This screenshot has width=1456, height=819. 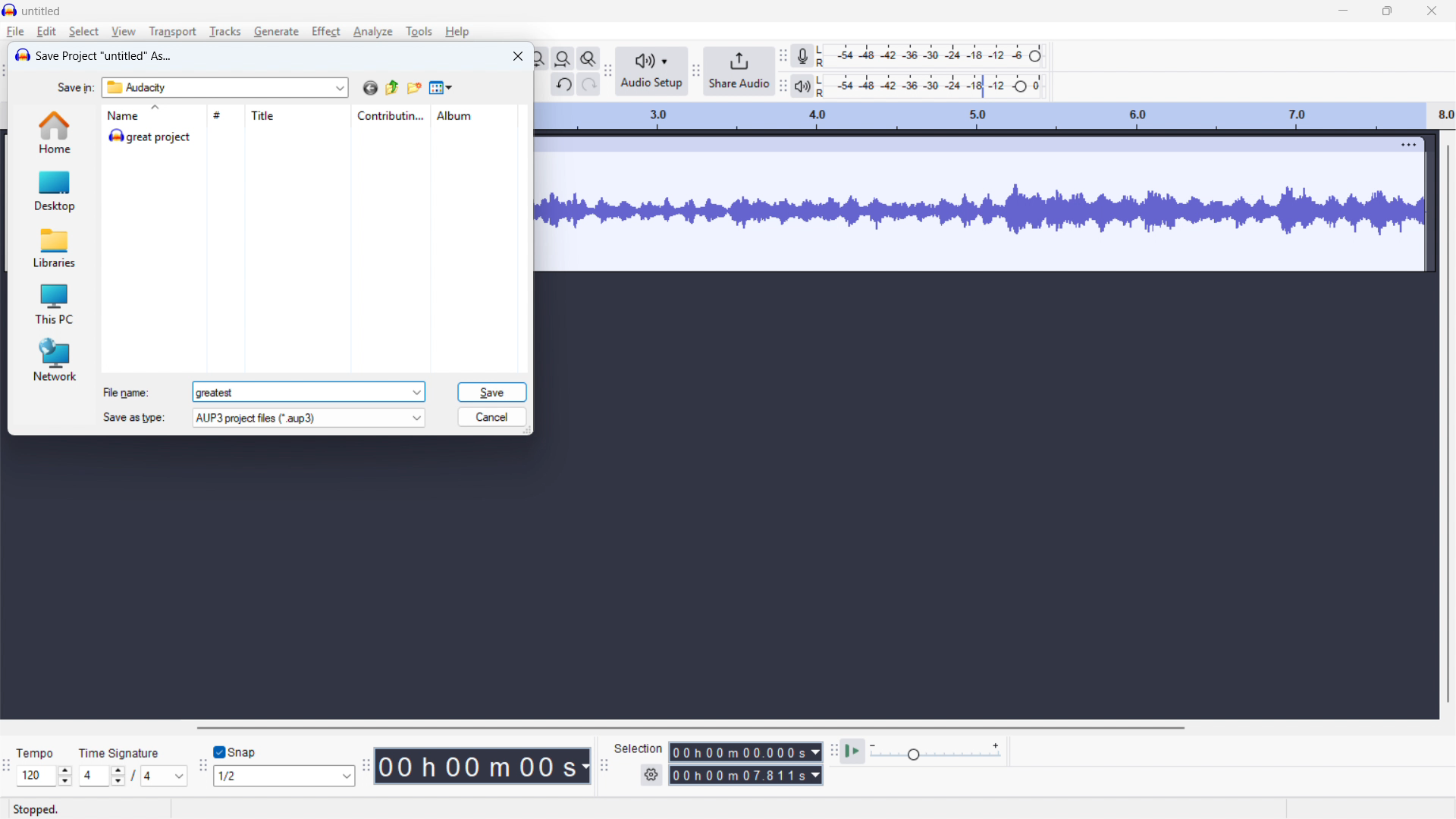 What do you see at coordinates (6, 767) in the screenshot?
I see `time signature toolbar` at bounding box center [6, 767].